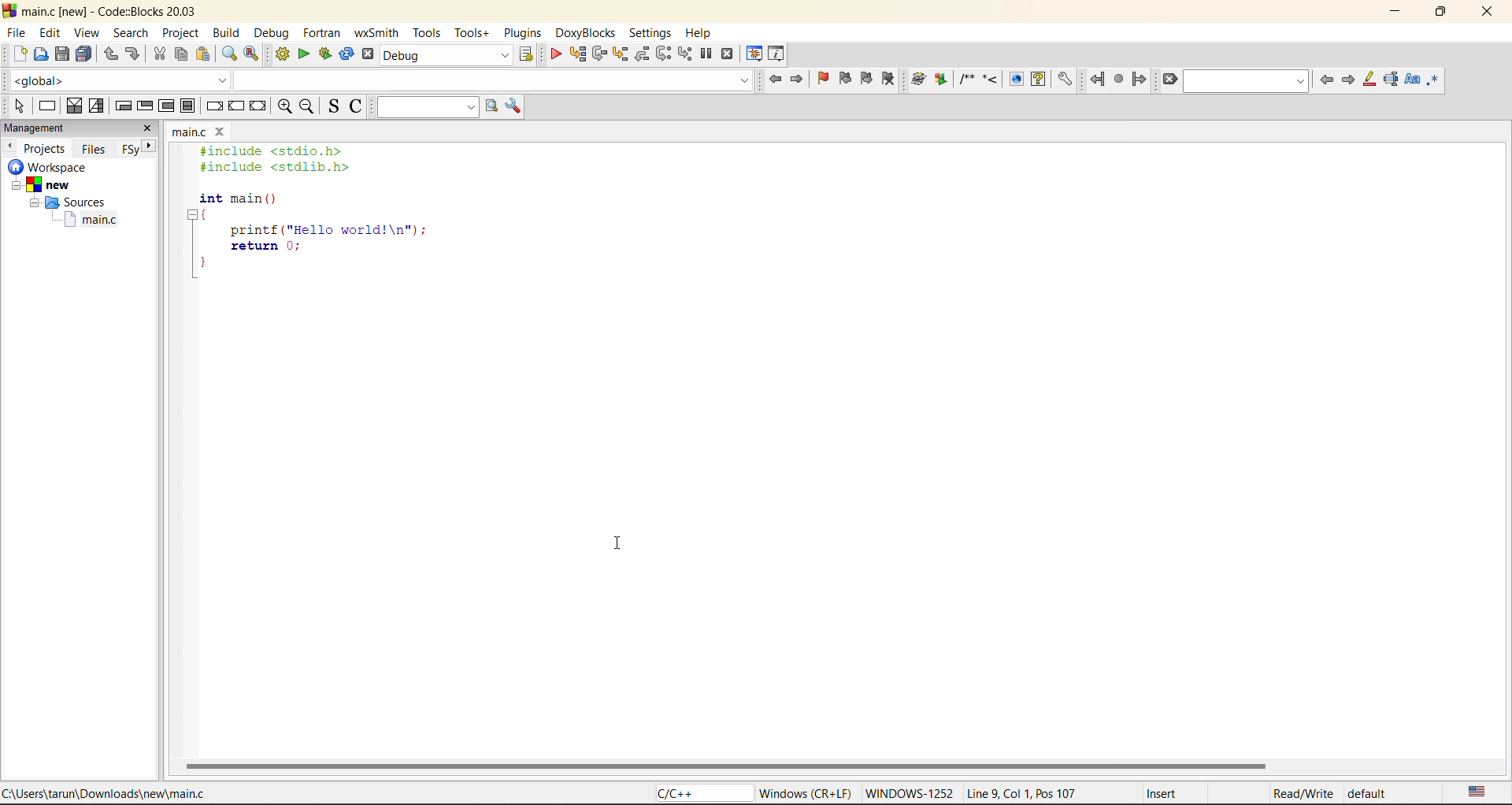  What do you see at coordinates (228, 53) in the screenshot?
I see `find` at bounding box center [228, 53].